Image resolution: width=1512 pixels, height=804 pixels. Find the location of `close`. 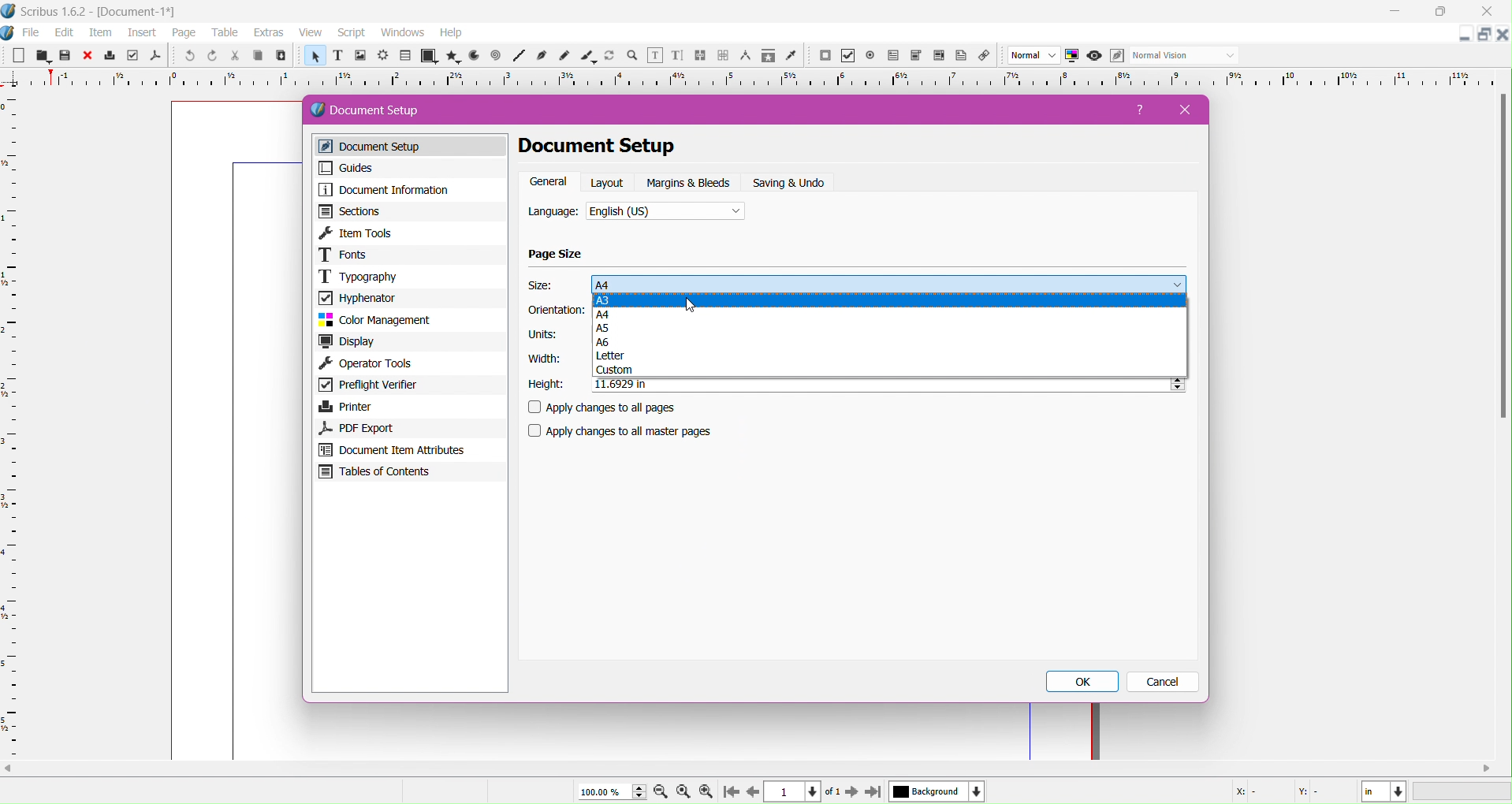

close is located at coordinates (88, 56).